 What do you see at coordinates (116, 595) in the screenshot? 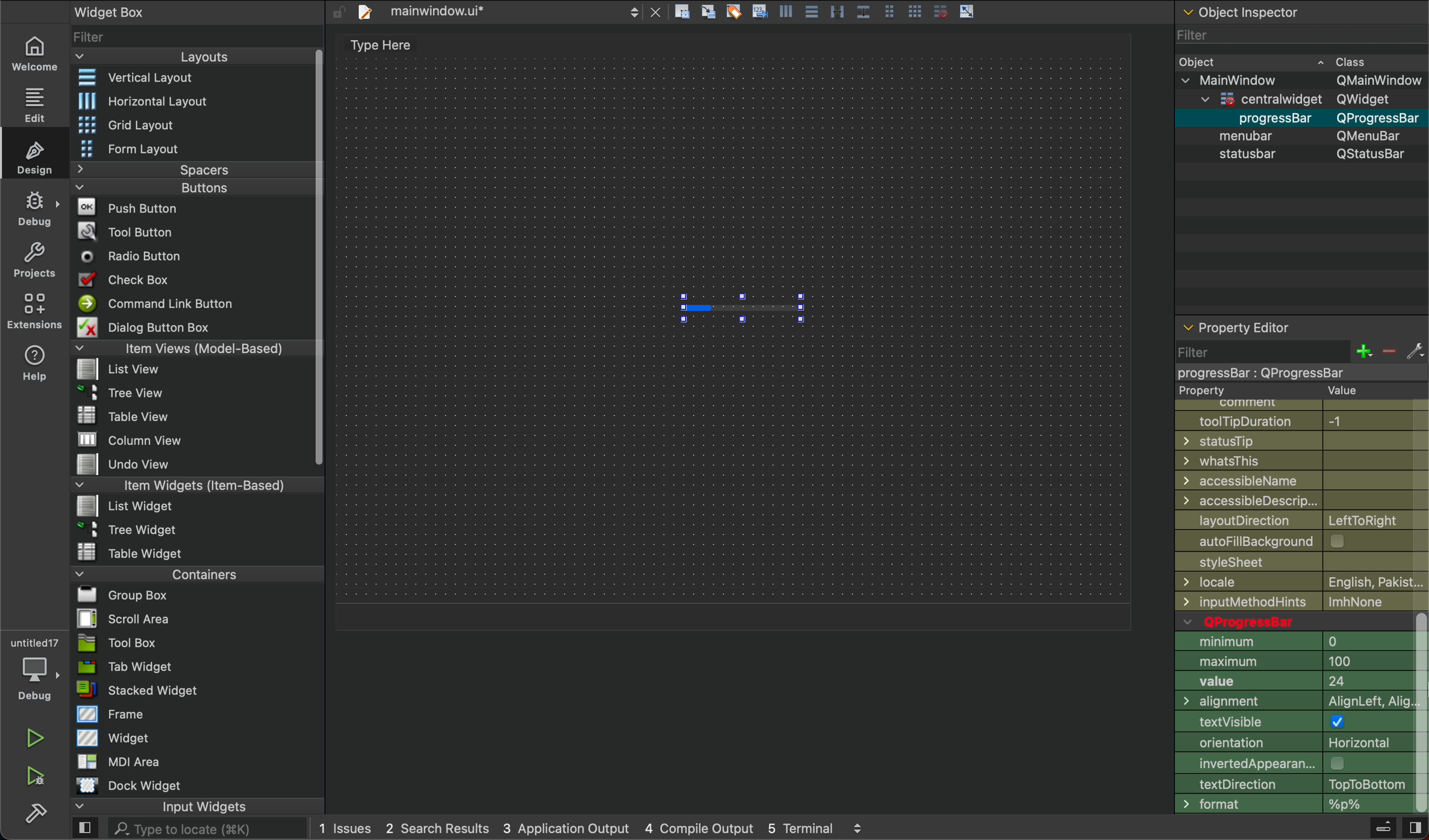
I see `File` at bounding box center [116, 595].